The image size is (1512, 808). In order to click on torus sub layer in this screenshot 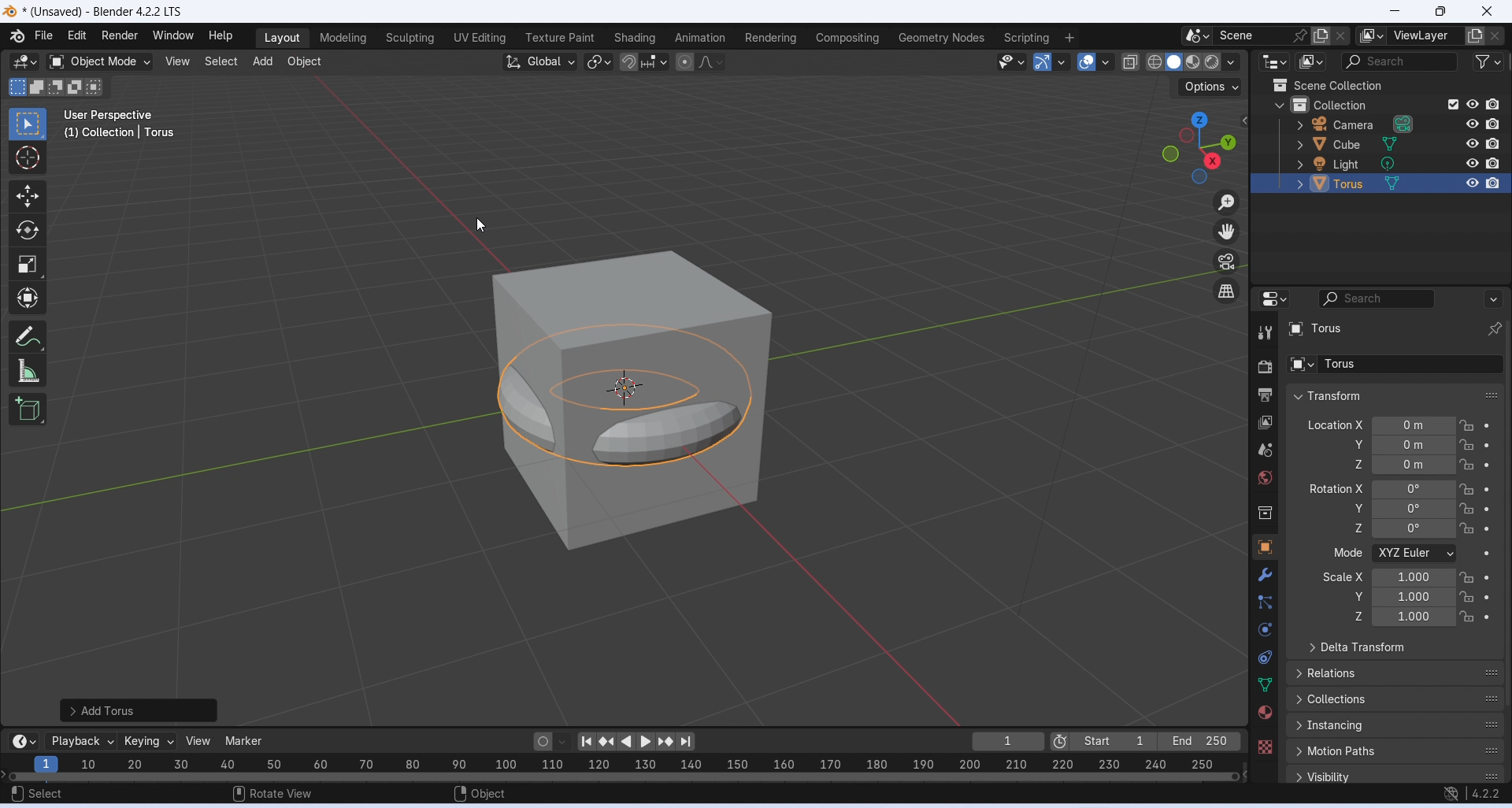, I will do `click(1391, 363)`.